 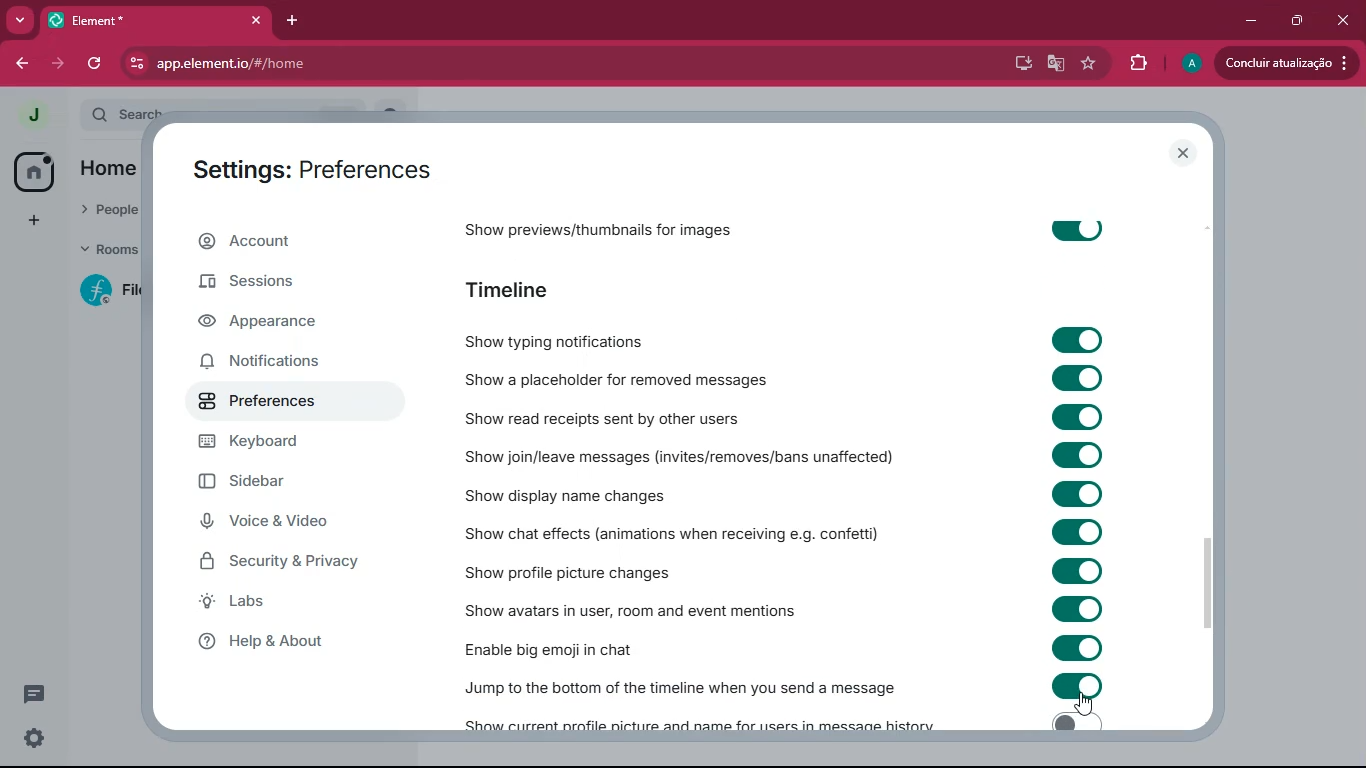 What do you see at coordinates (293, 20) in the screenshot?
I see `add tab` at bounding box center [293, 20].